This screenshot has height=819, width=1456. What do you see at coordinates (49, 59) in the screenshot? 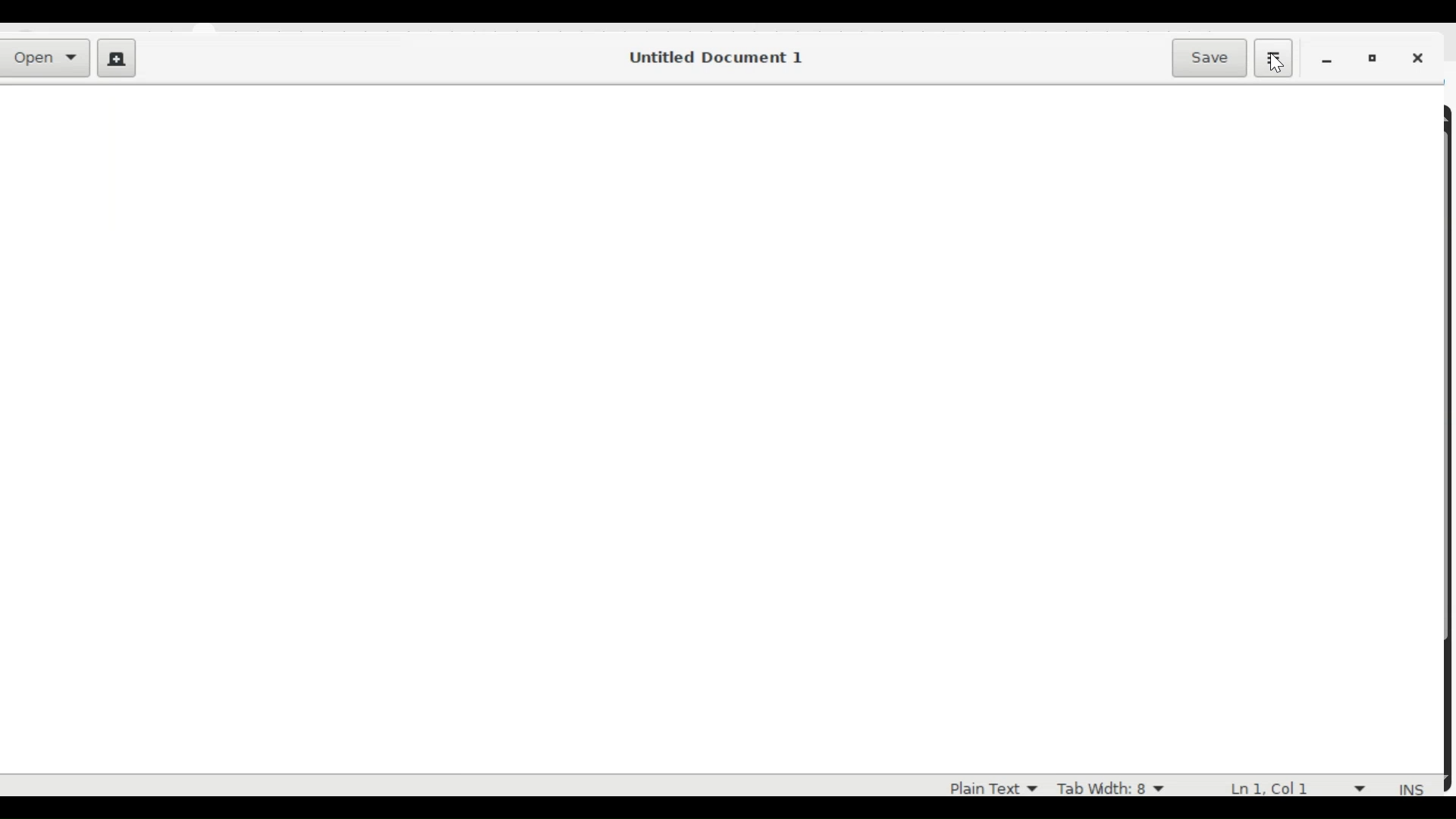
I see `Open` at bounding box center [49, 59].